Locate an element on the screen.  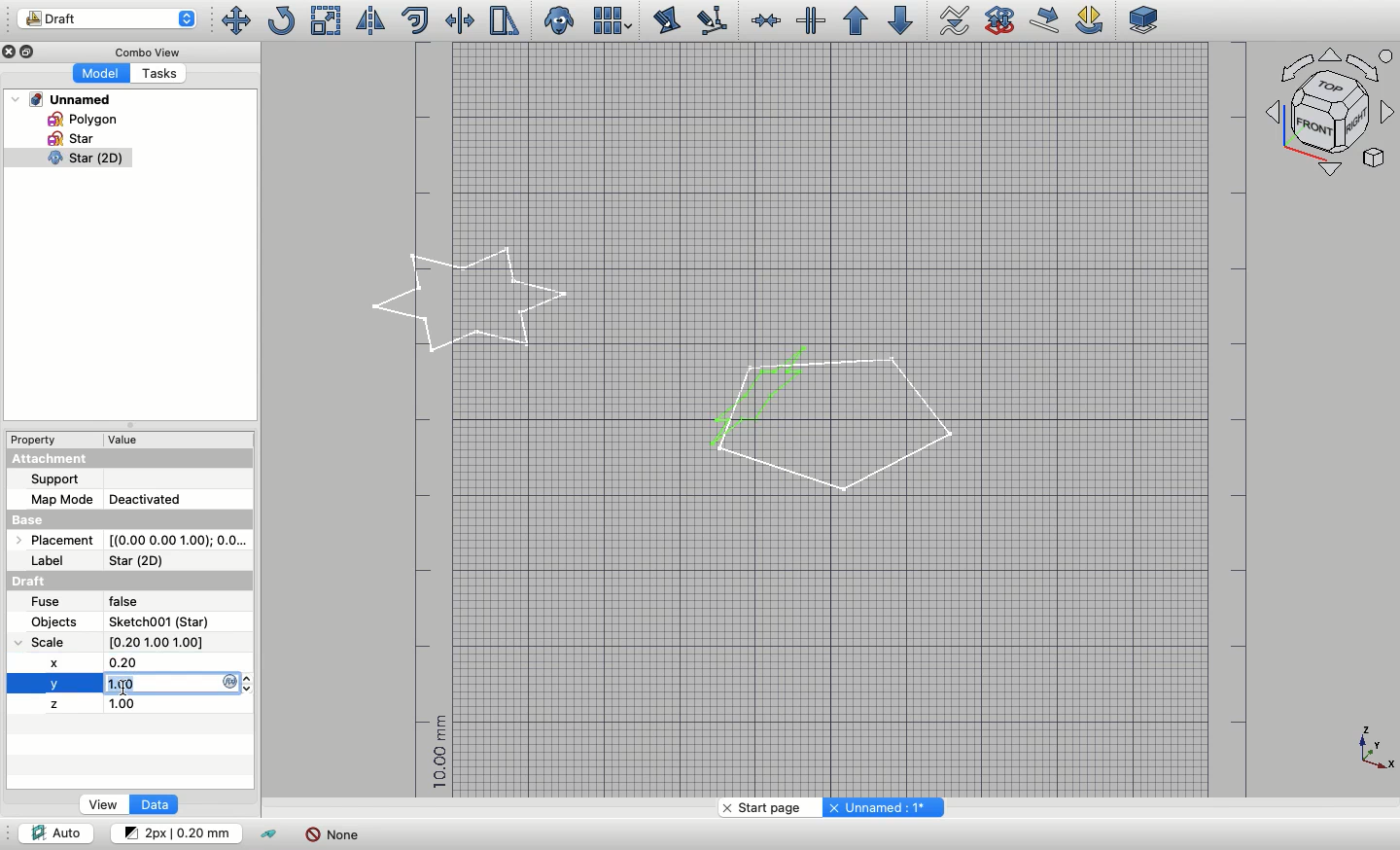
False is located at coordinates (138, 602).